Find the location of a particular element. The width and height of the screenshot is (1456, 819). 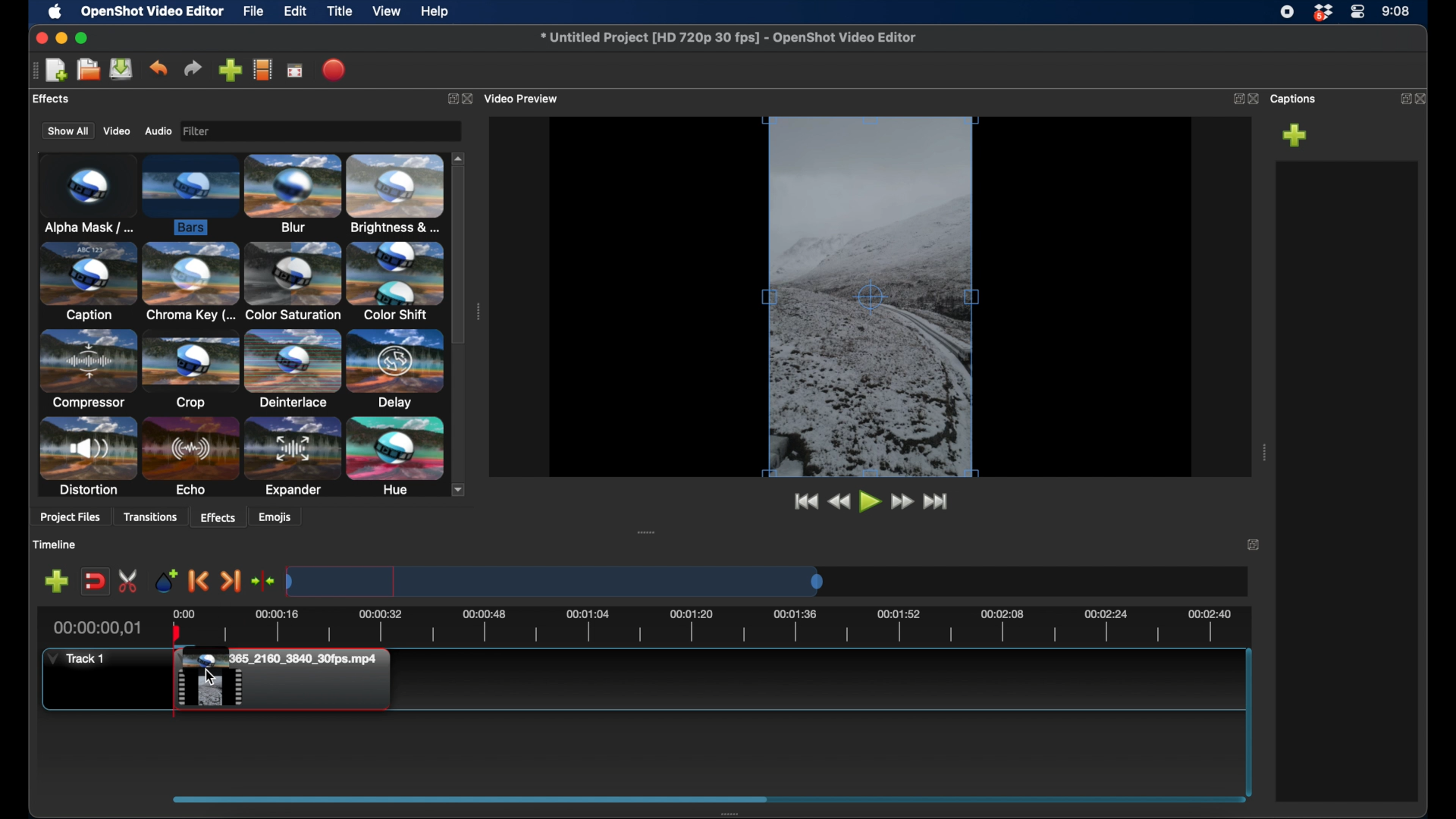

drag handle is located at coordinates (30, 71).